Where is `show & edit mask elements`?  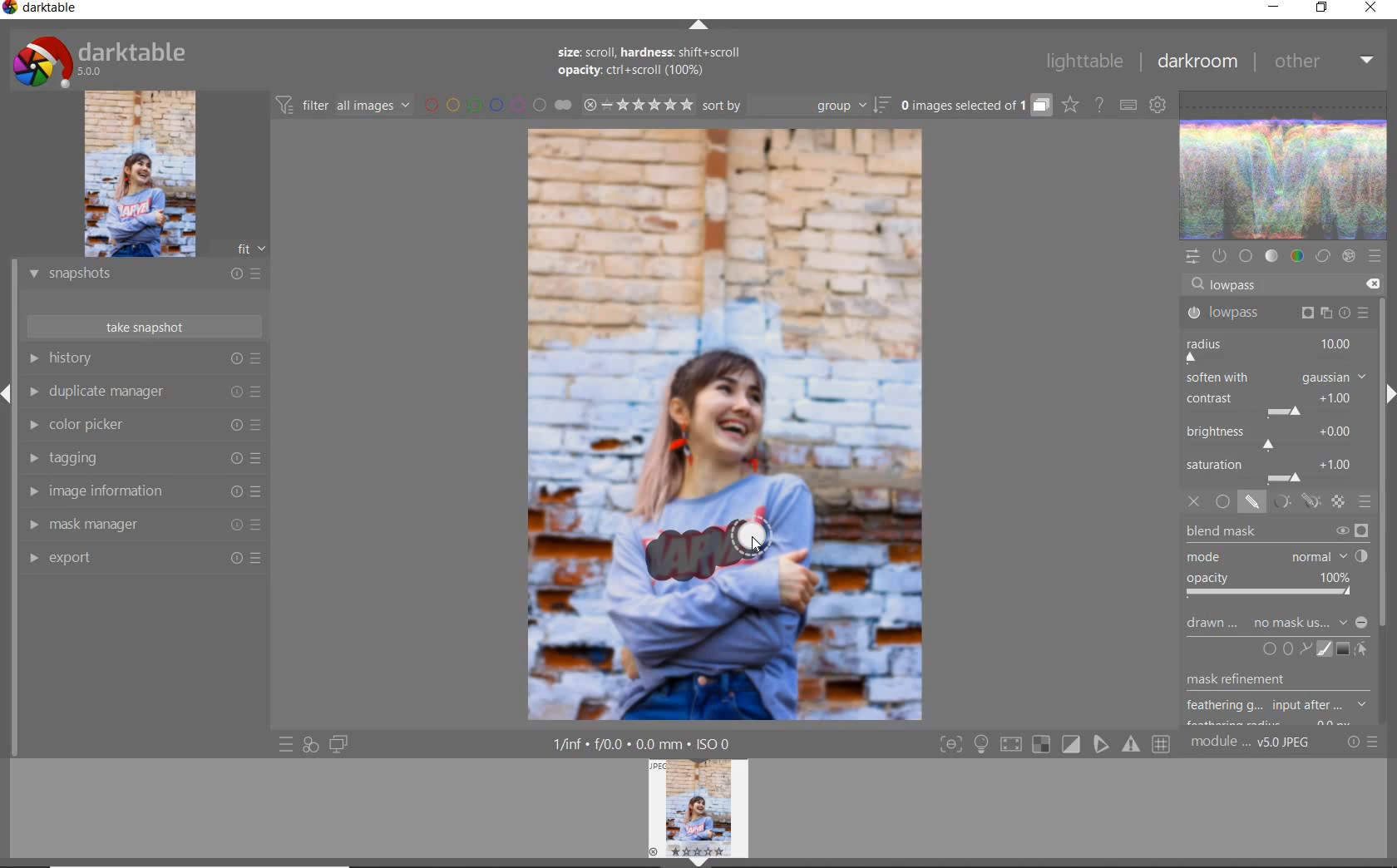
show & edit mask elements is located at coordinates (1362, 650).